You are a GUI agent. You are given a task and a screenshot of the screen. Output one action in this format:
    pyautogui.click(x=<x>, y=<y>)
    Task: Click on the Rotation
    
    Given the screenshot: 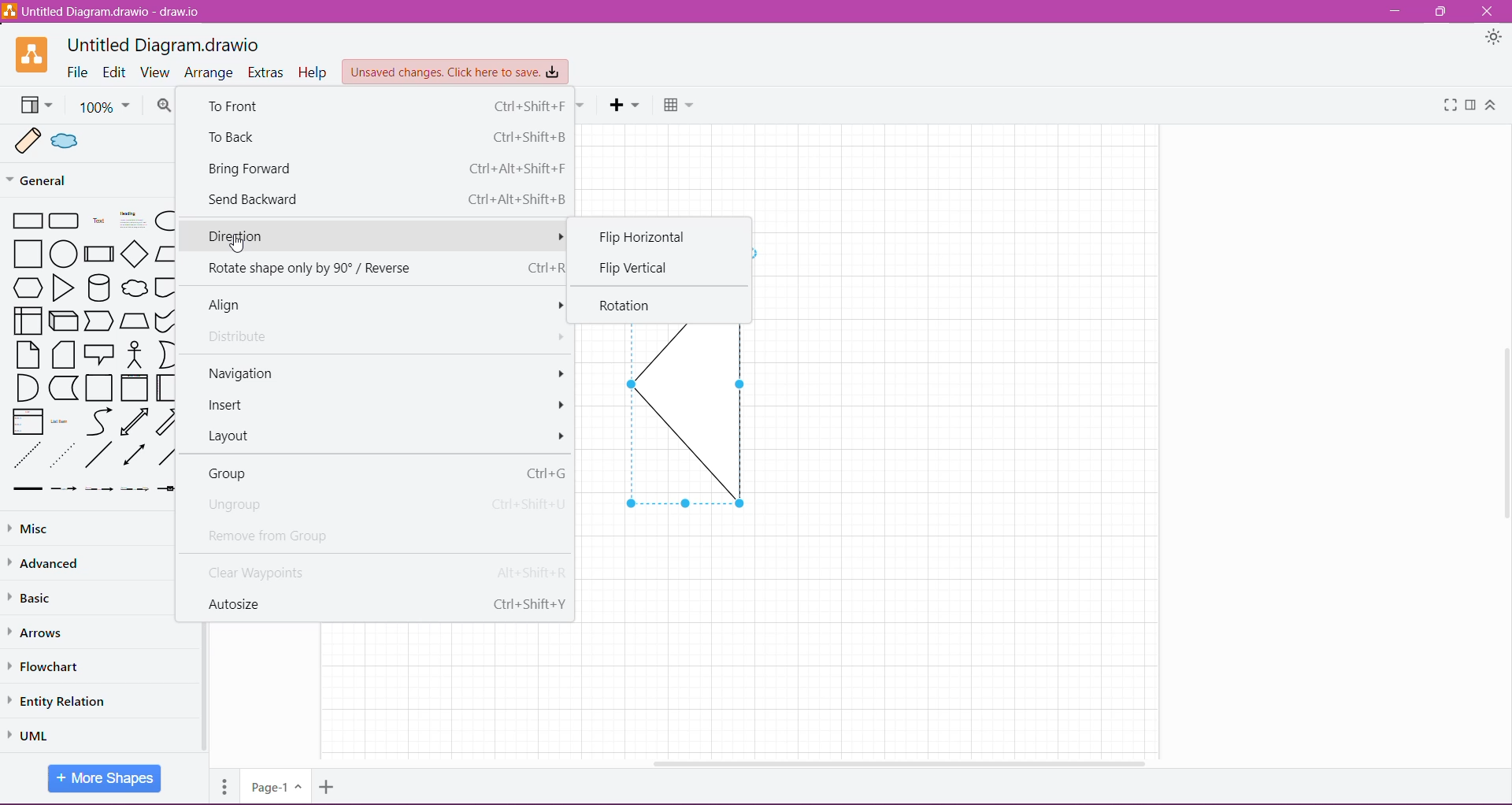 What is the action you would take?
    pyautogui.click(x=627, y=303)
    